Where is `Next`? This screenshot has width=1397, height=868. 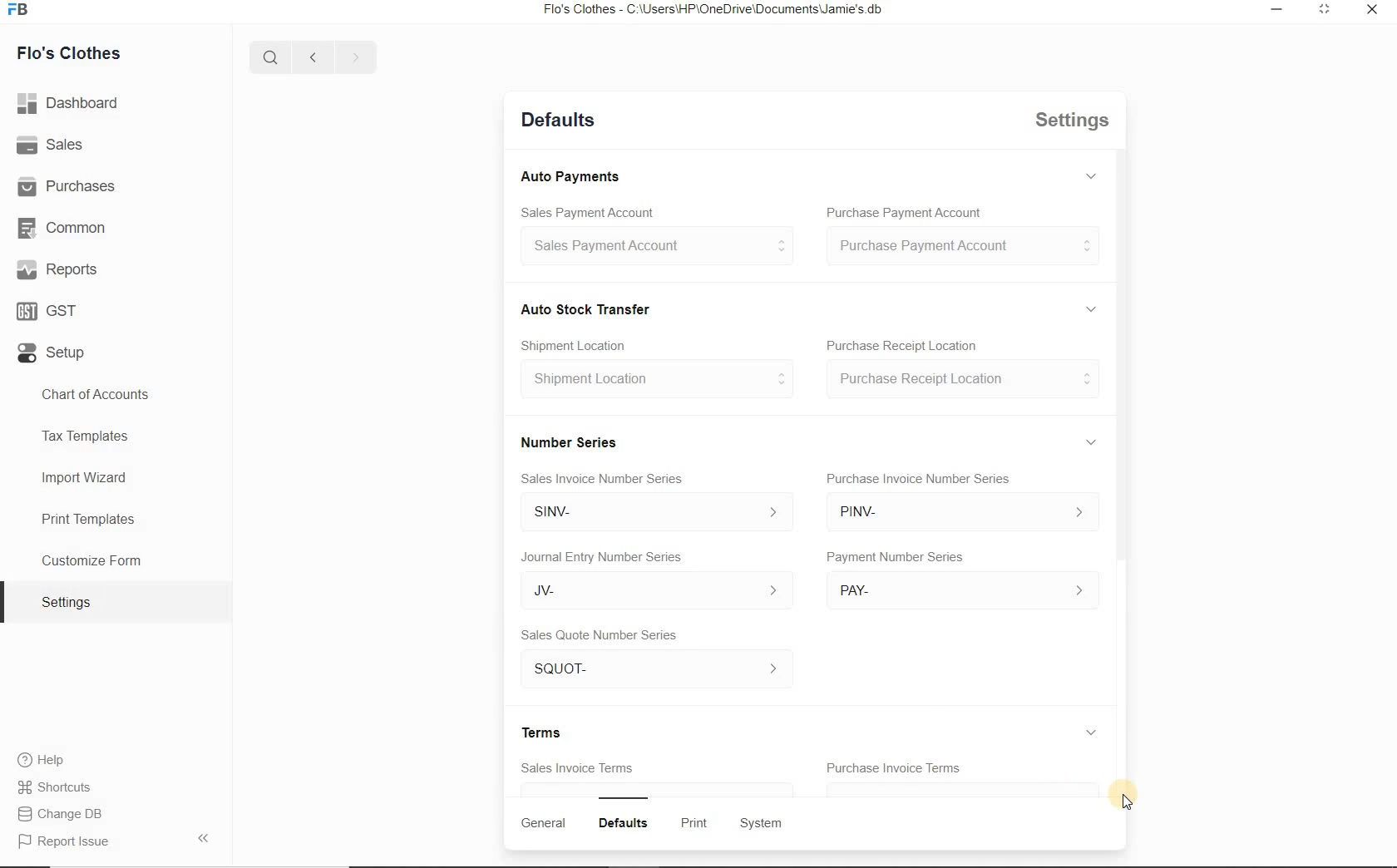
Next is located at coordinates (355, 57).